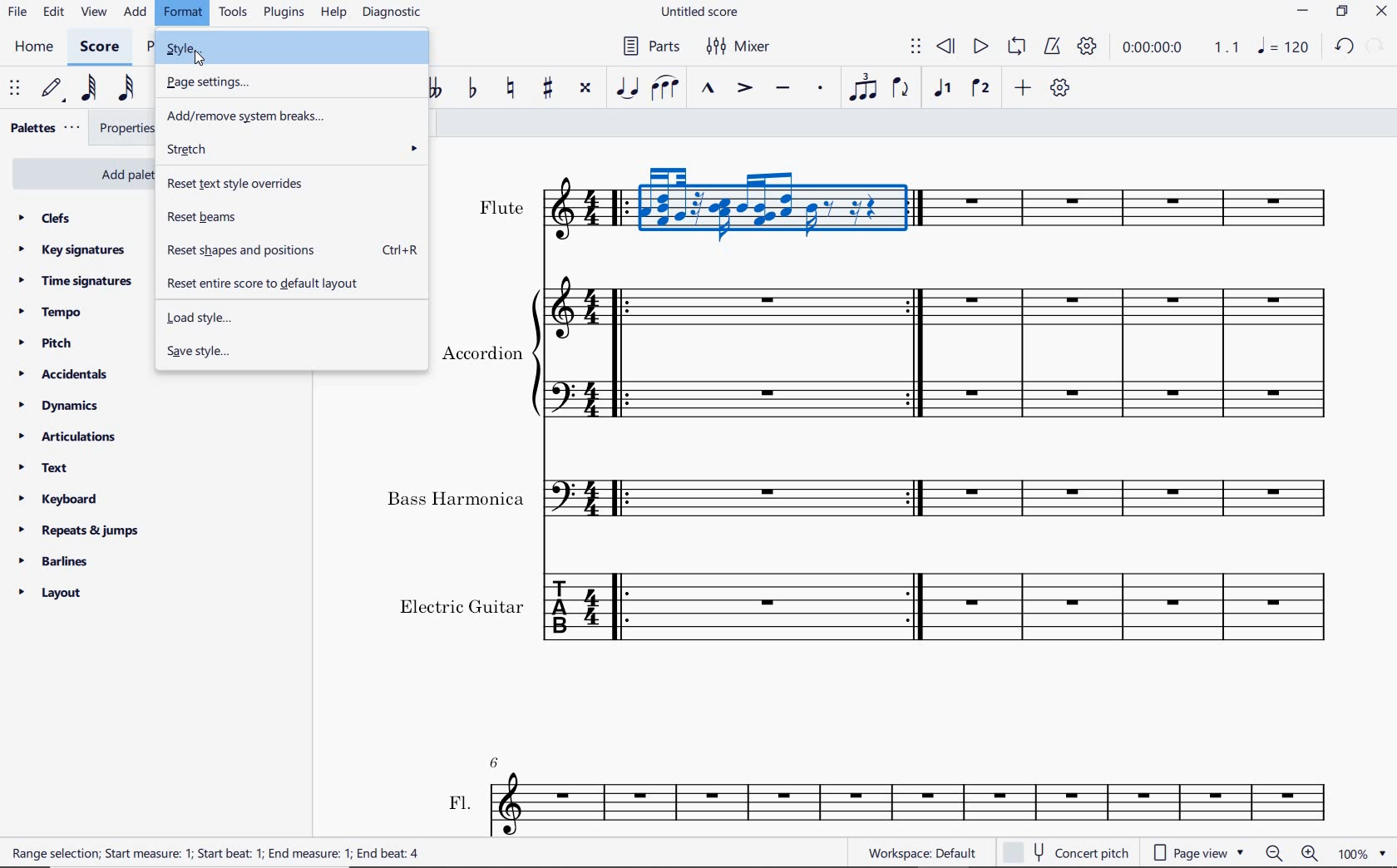 This screenshot has height=868, width=1397. Describe the element at coordinates (981, 47) in the screenshot. I see `play` at that location.